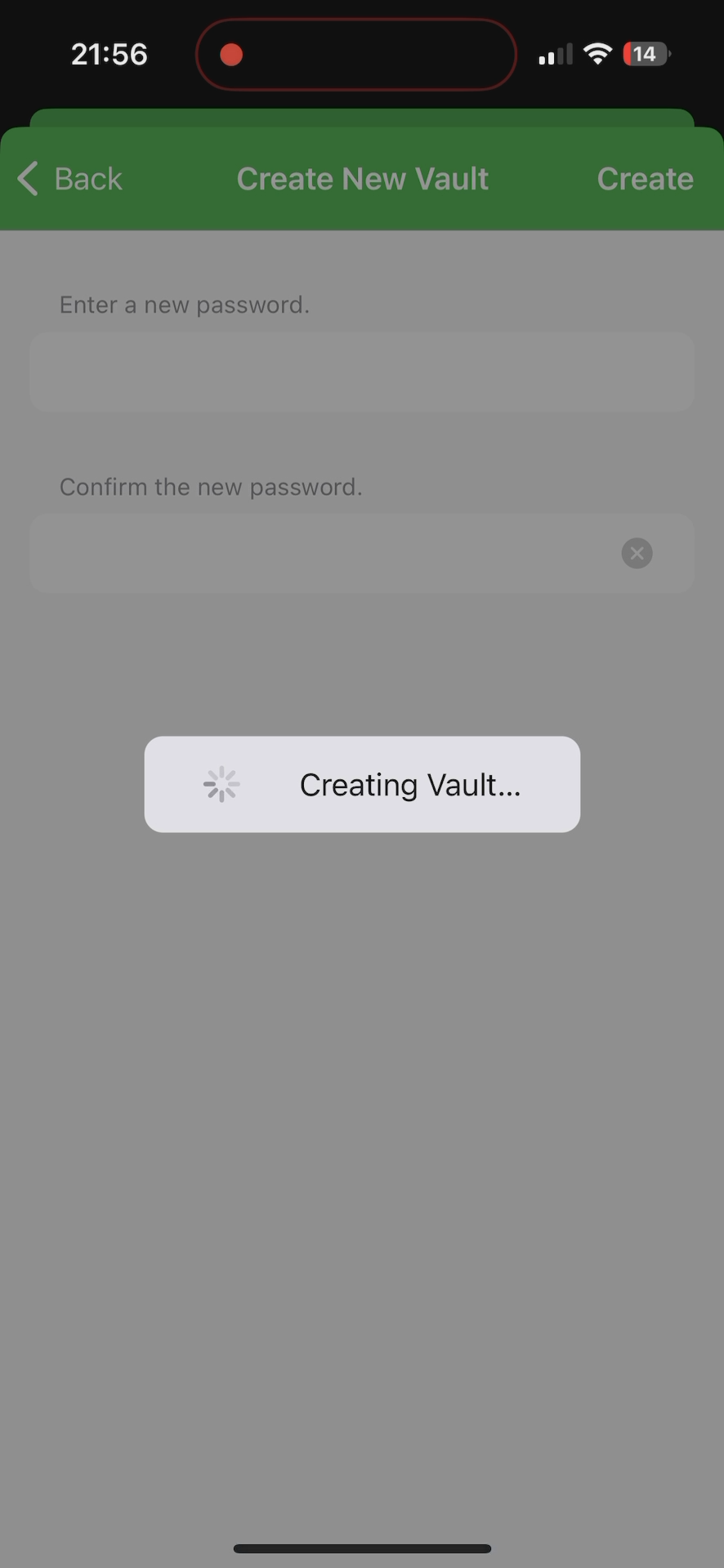 The height and width of the screenshot is (1568, 724). Describe the element at coordinates (646, 56) in the screenshot. I see `battery` at that location.